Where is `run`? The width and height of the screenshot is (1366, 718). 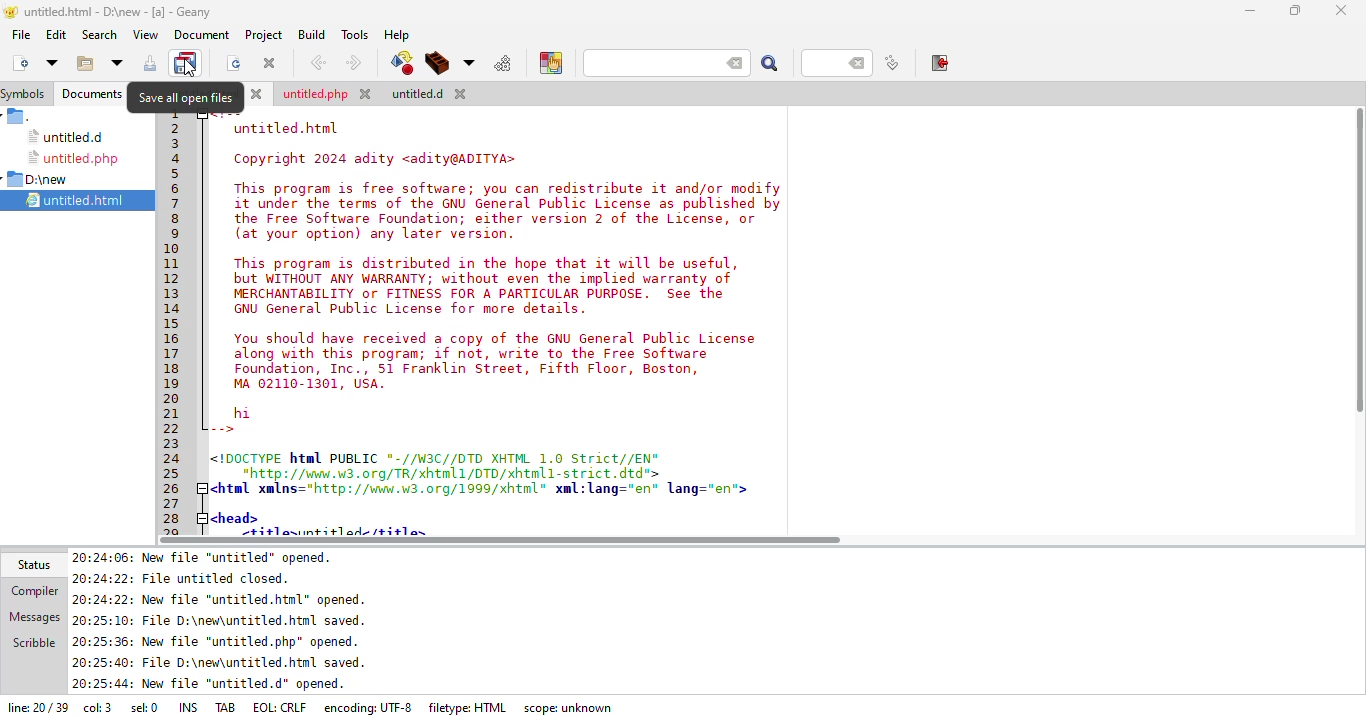
run is located at coordinates (503, 63).